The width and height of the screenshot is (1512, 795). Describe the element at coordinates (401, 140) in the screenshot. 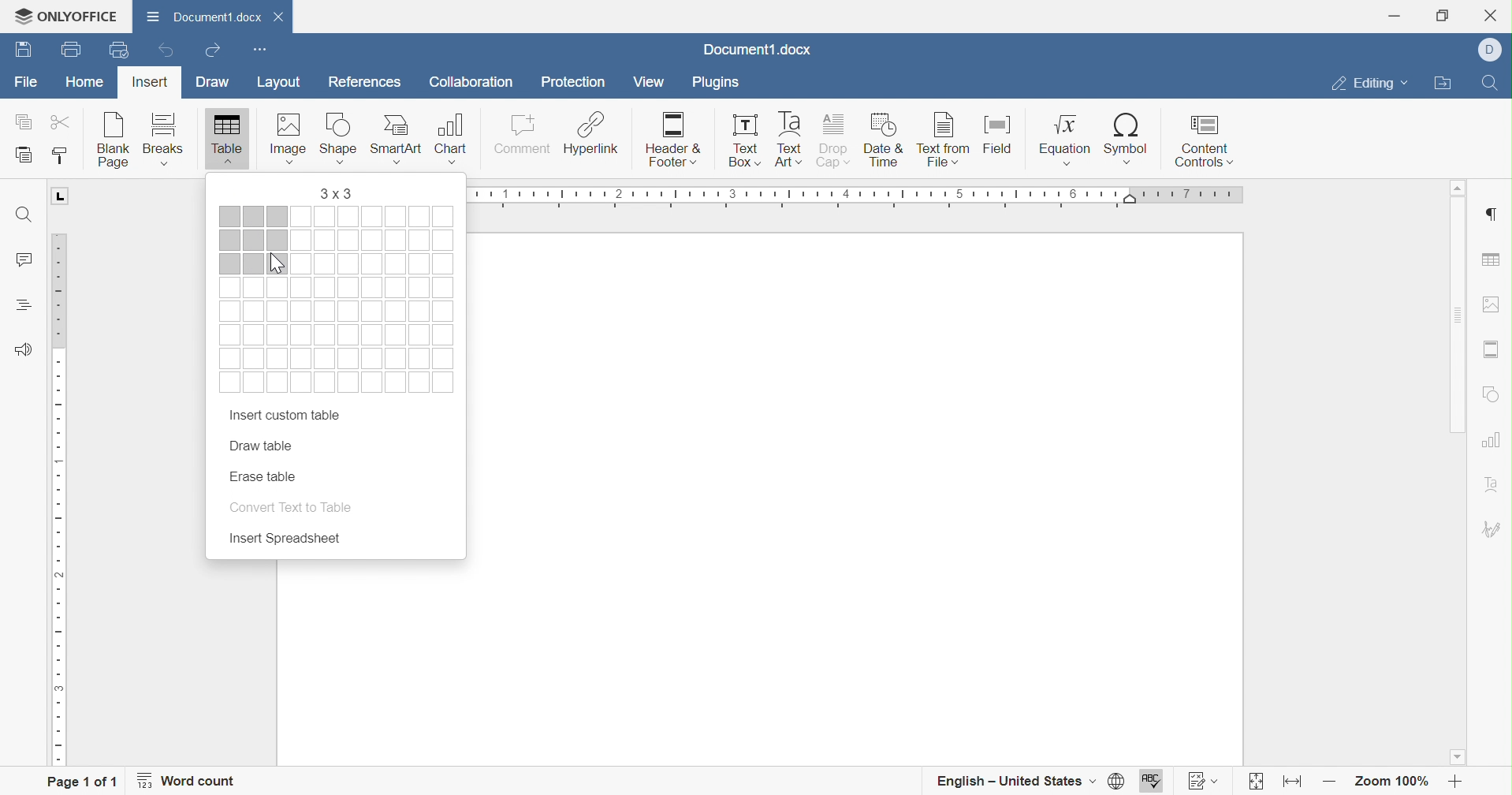

I see `Smart art` at that location.